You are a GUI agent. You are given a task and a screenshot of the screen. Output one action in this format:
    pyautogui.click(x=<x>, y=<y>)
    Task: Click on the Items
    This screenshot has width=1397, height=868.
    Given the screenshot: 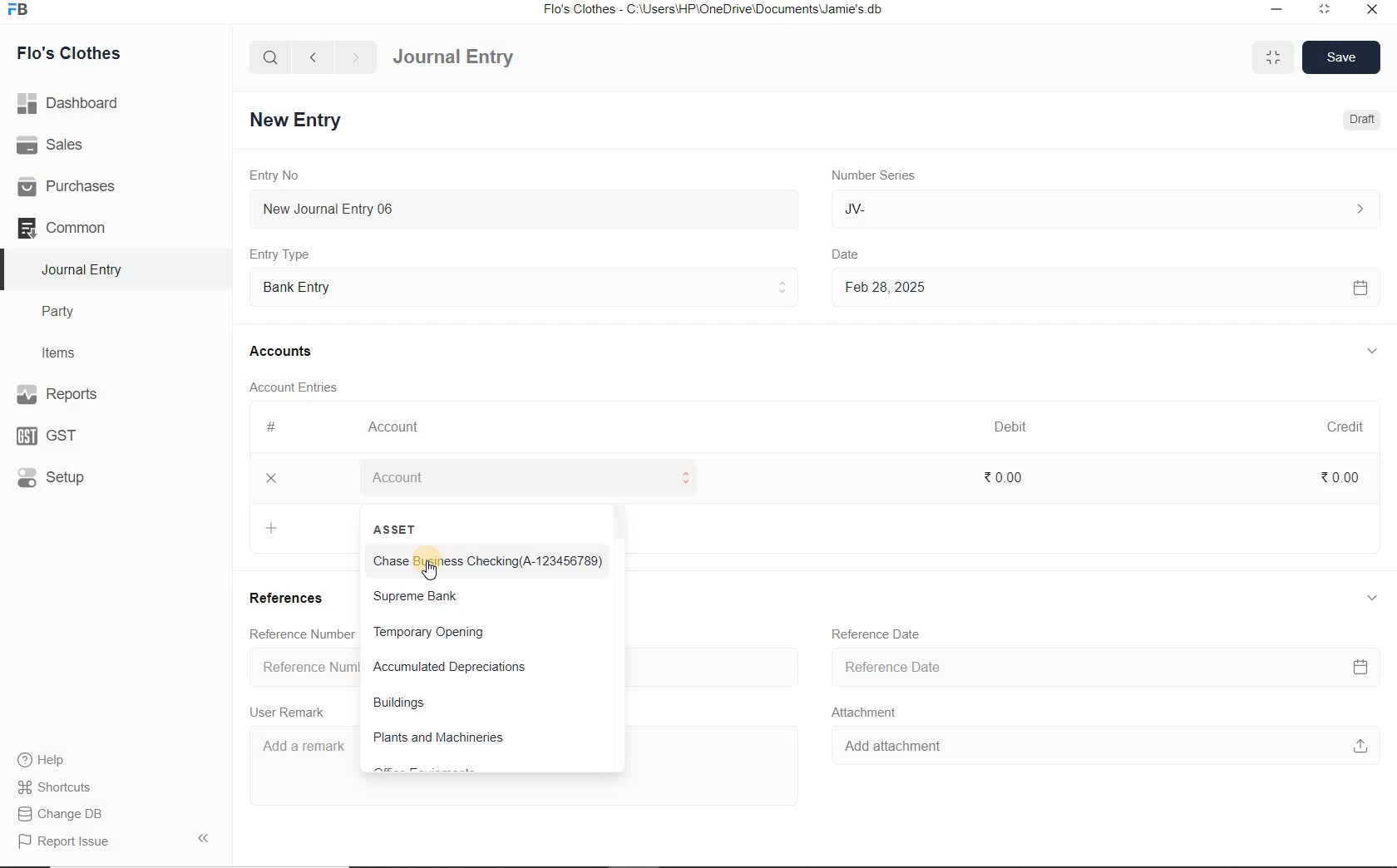 What is the action you would take?
    pyautogui.click(x=67, y=351)
    